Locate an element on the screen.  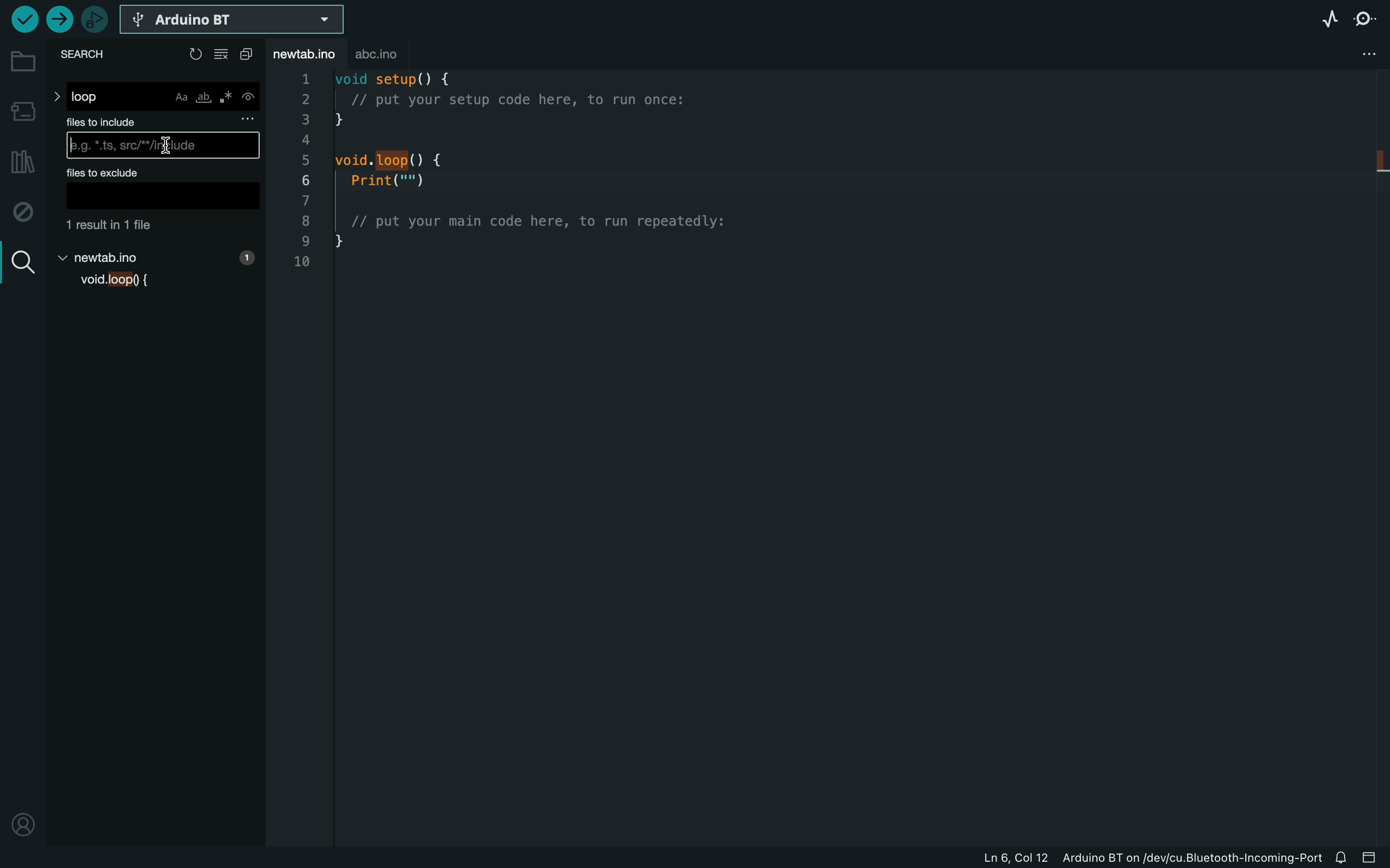
file tab is located at coordinates (308, 56).